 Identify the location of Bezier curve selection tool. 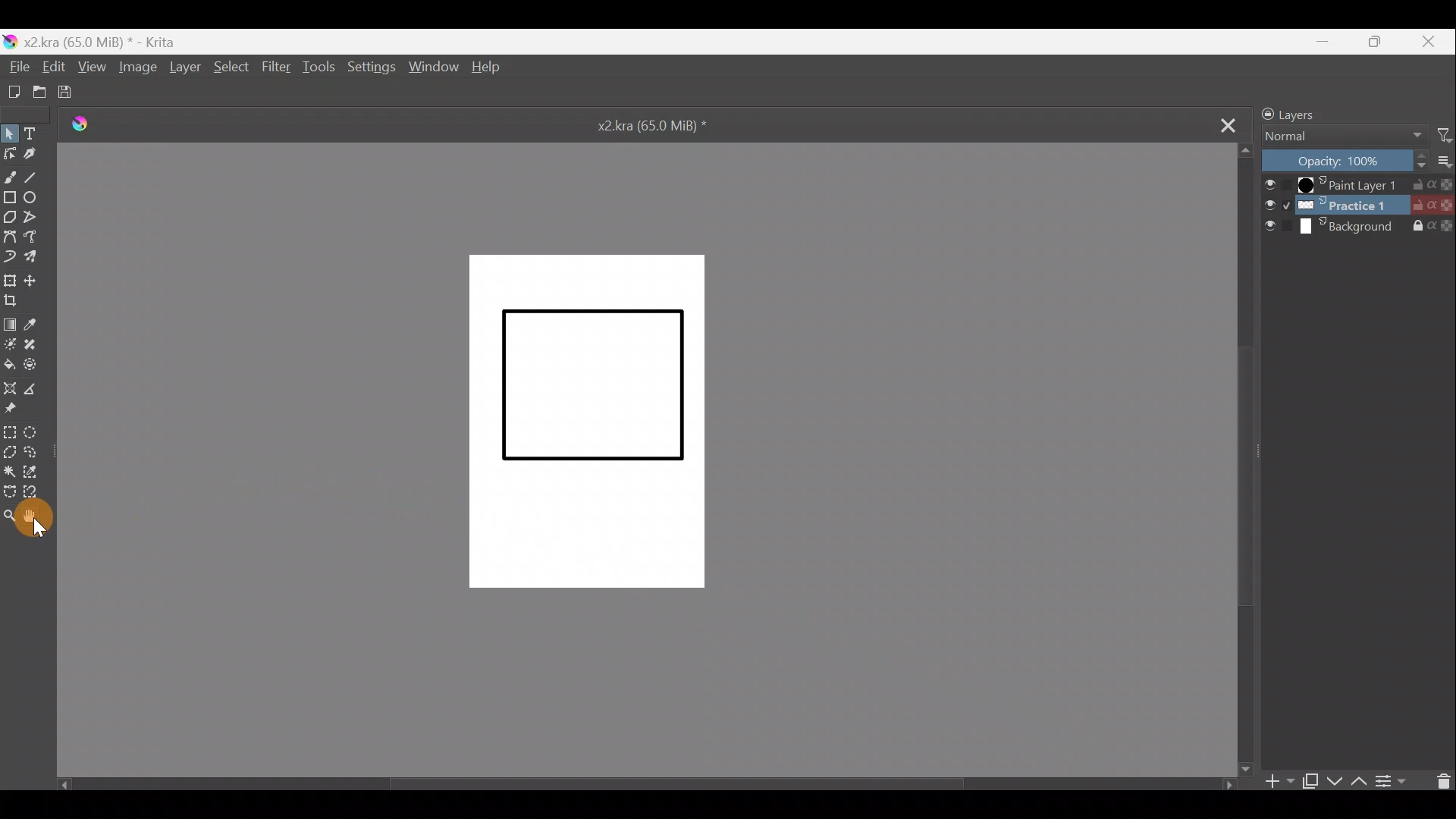
(11, 494).